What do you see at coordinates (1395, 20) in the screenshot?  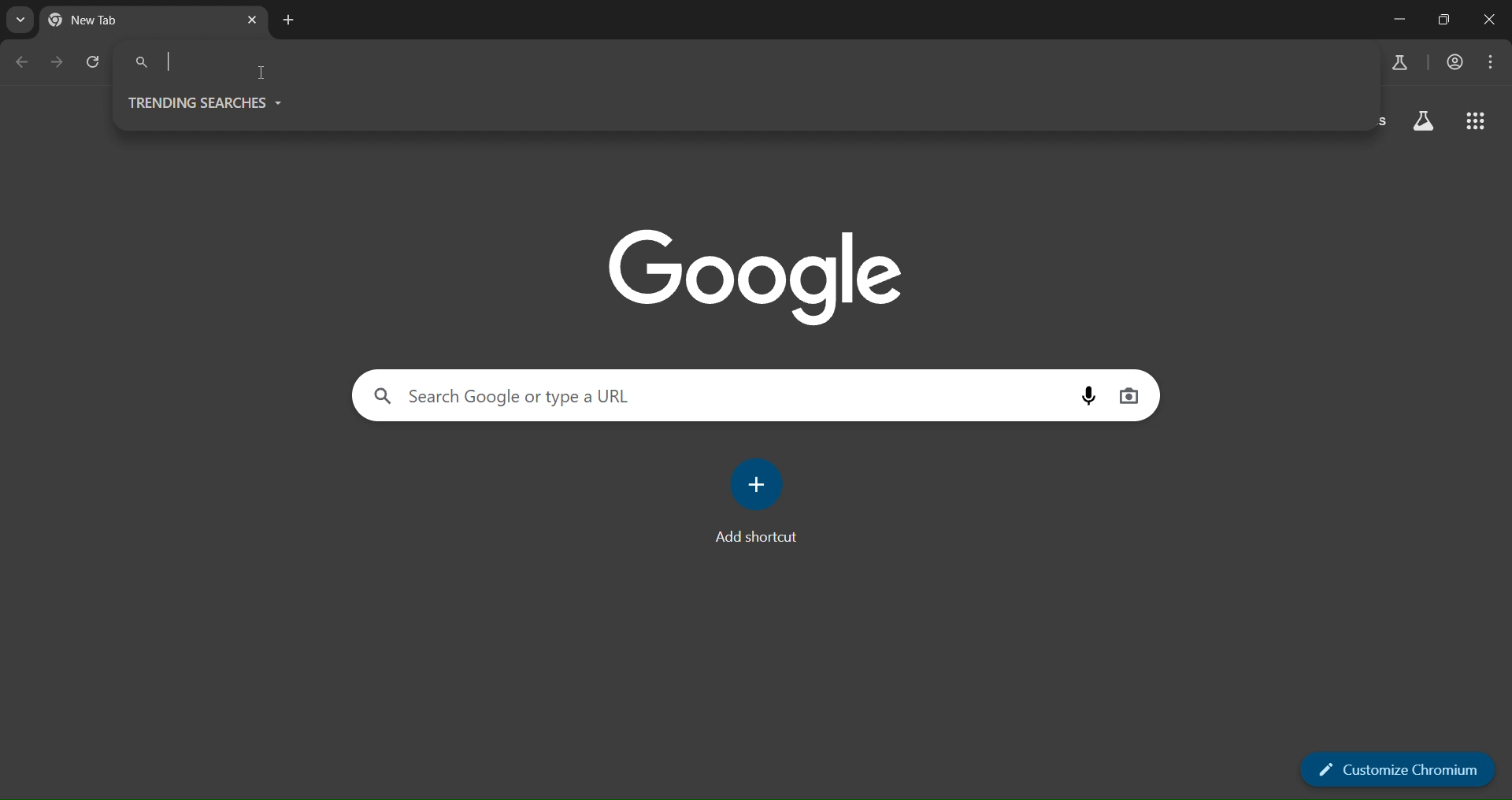 I see `minimize` at bounding box center [1395, 20].